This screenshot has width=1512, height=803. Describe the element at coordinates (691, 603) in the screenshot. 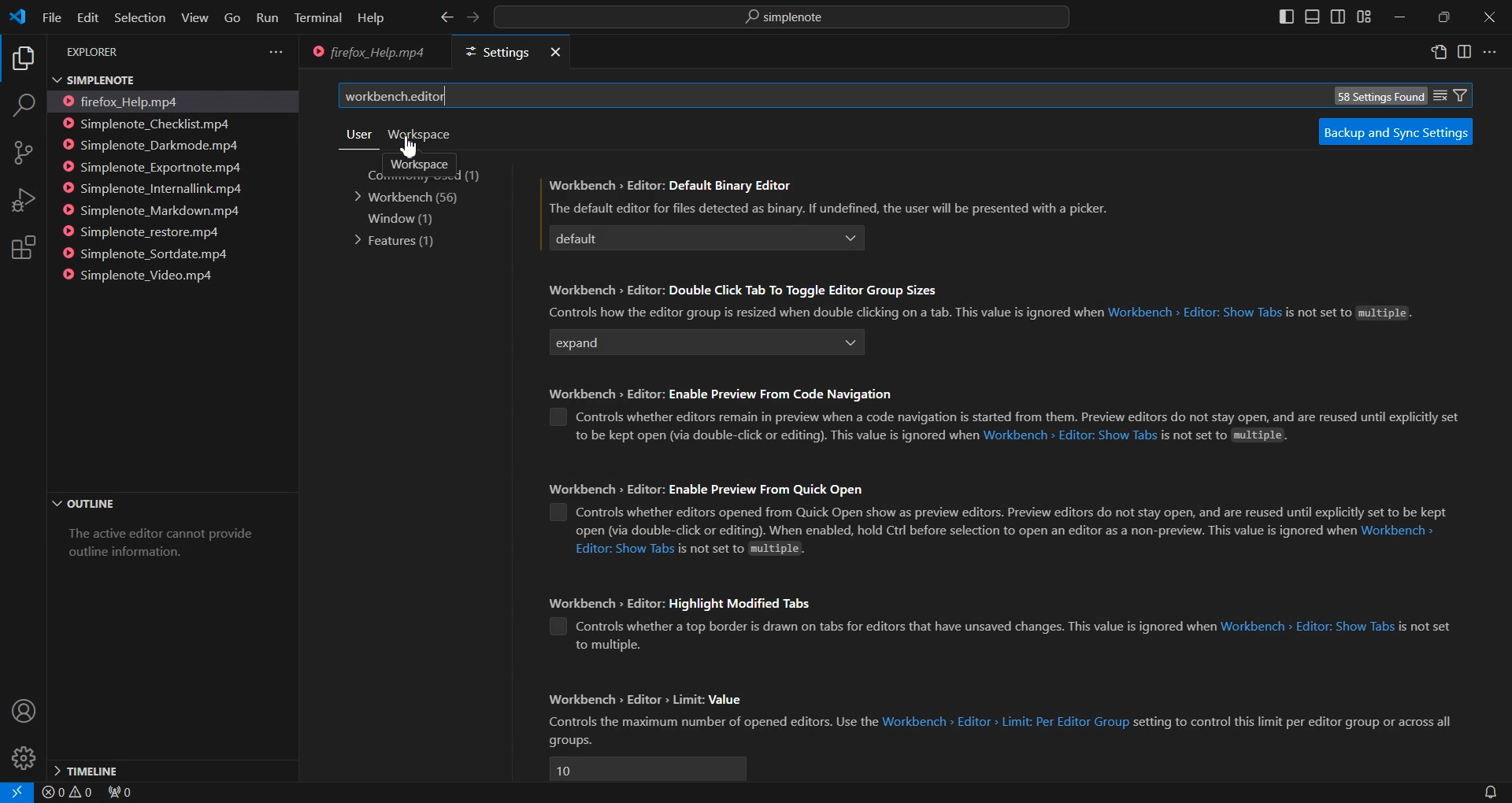

I see `Workbench > Editor: Highlight Modified Tabs` at that location.